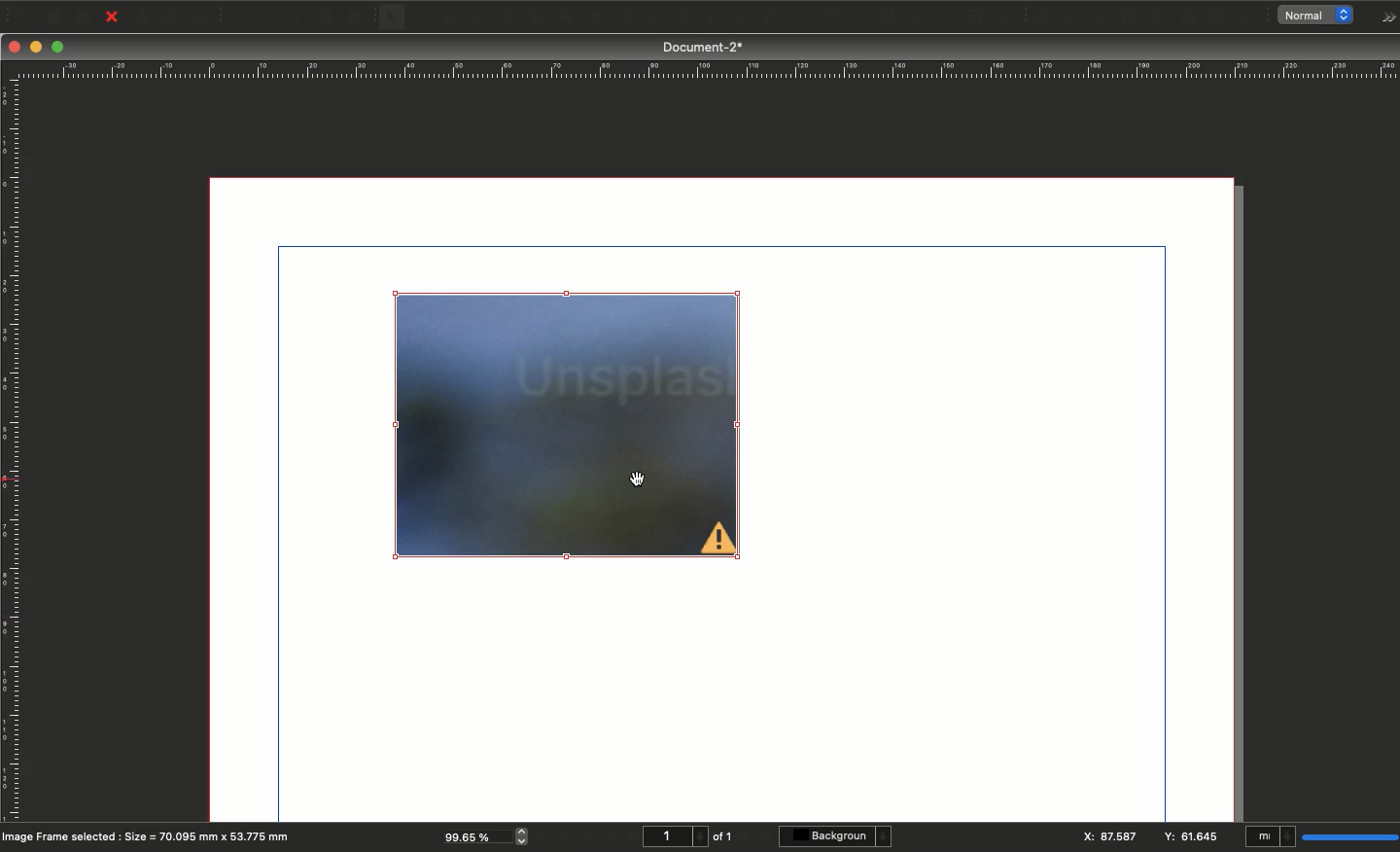 The height and width of the screenshot is (852, 1400). What do you see at coordinates (421, 19) in the screenshot?
I see `Text frame` at bounding box center [421, 19].